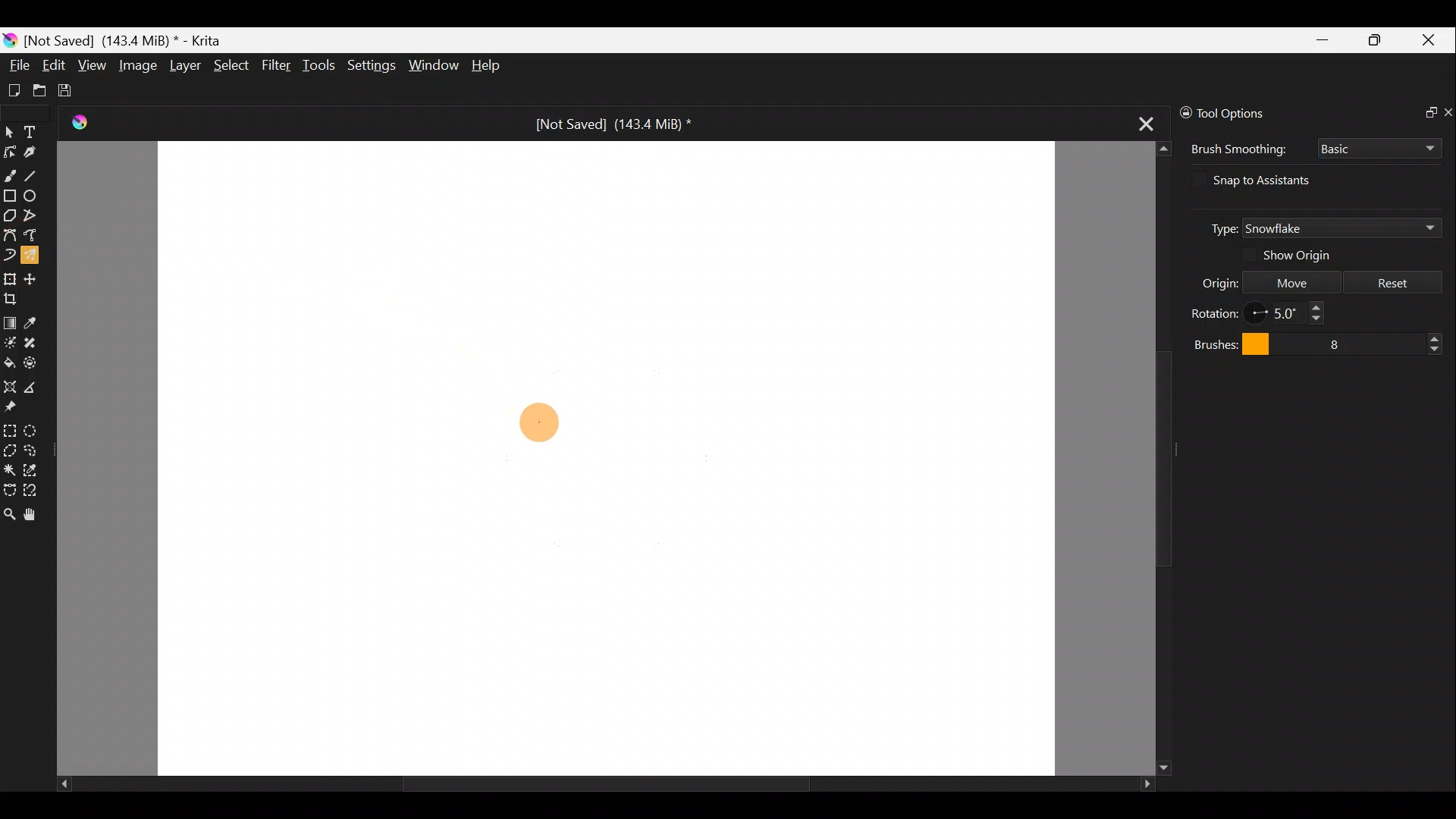  Describe the element at coordinates (136, 64) in the screenshot. I see `Image` at that location.